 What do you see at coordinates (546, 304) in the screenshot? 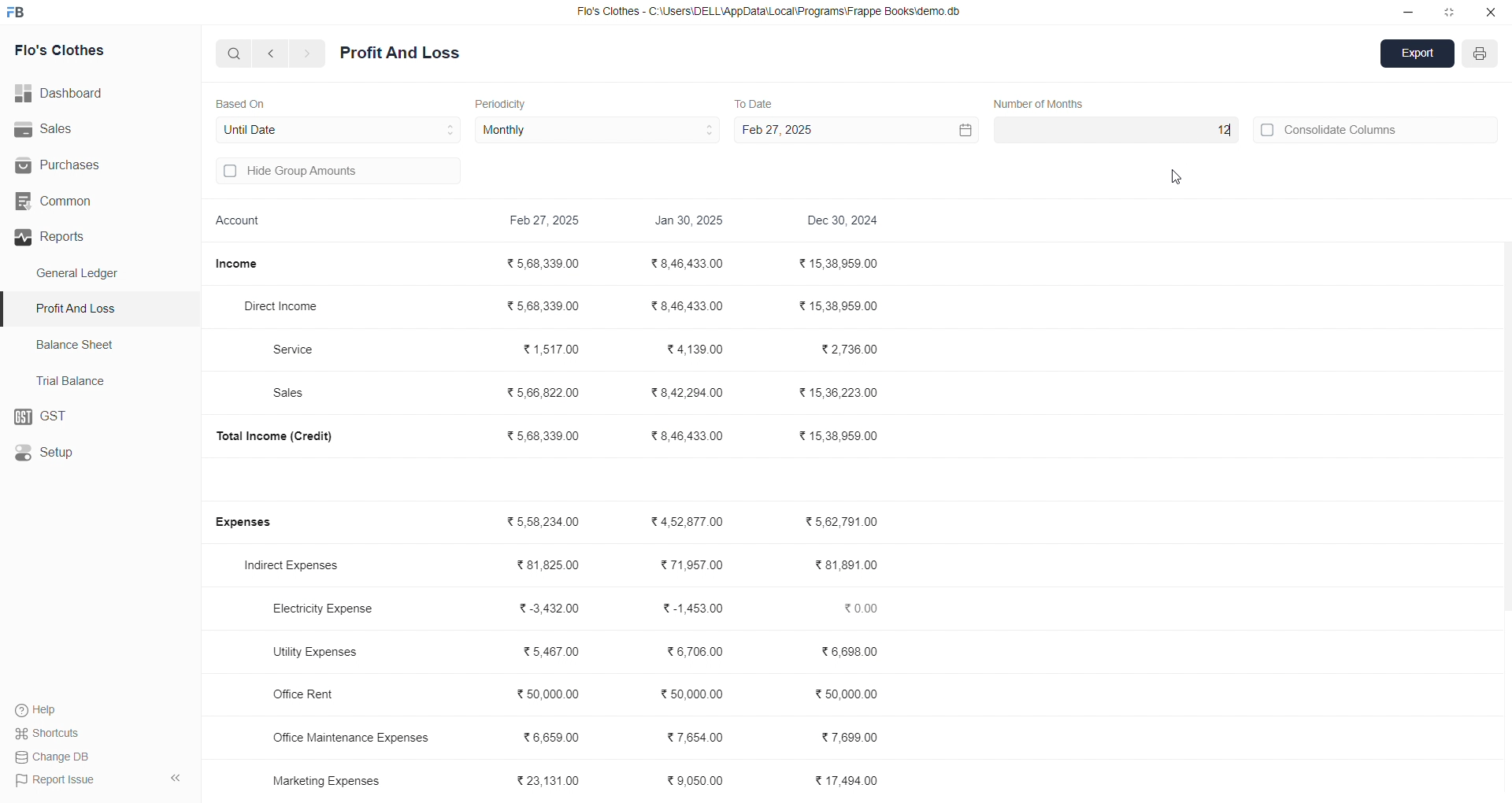
I see `₹568,339.00` at bounding box center [546, 304].